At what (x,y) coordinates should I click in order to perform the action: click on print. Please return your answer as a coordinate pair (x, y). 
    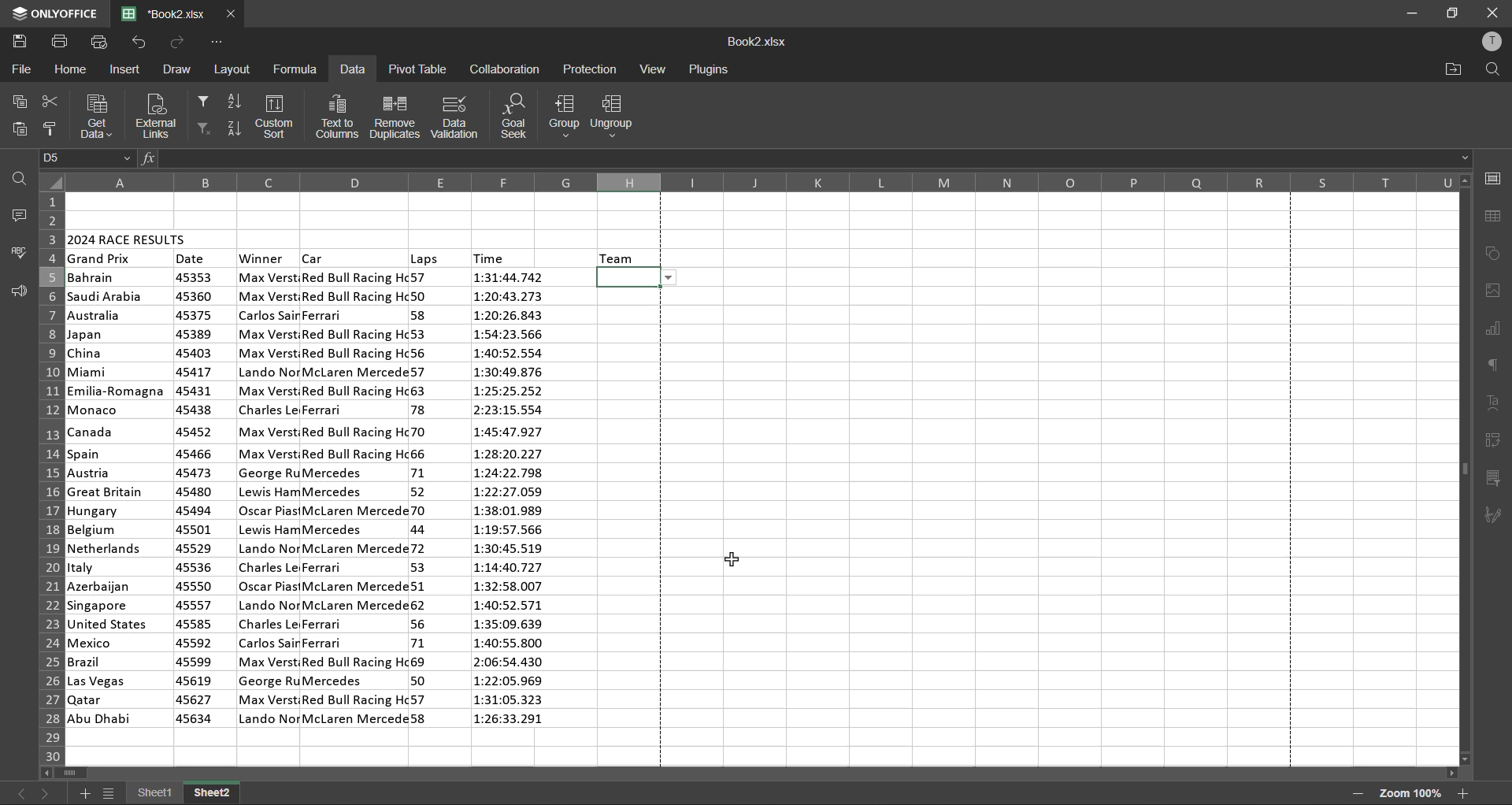
    Looking at the image, I should click on (61, 42).